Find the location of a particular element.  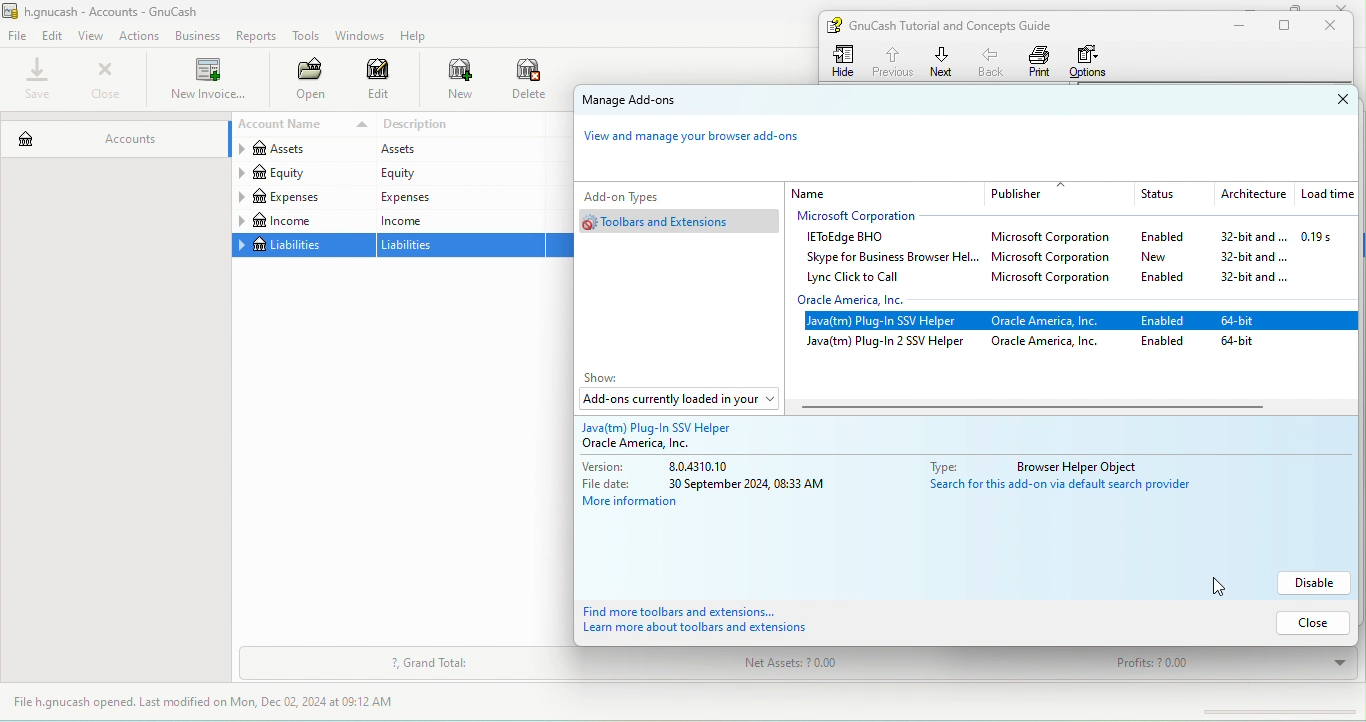

0.19s is located at coordinates (1328, 237).